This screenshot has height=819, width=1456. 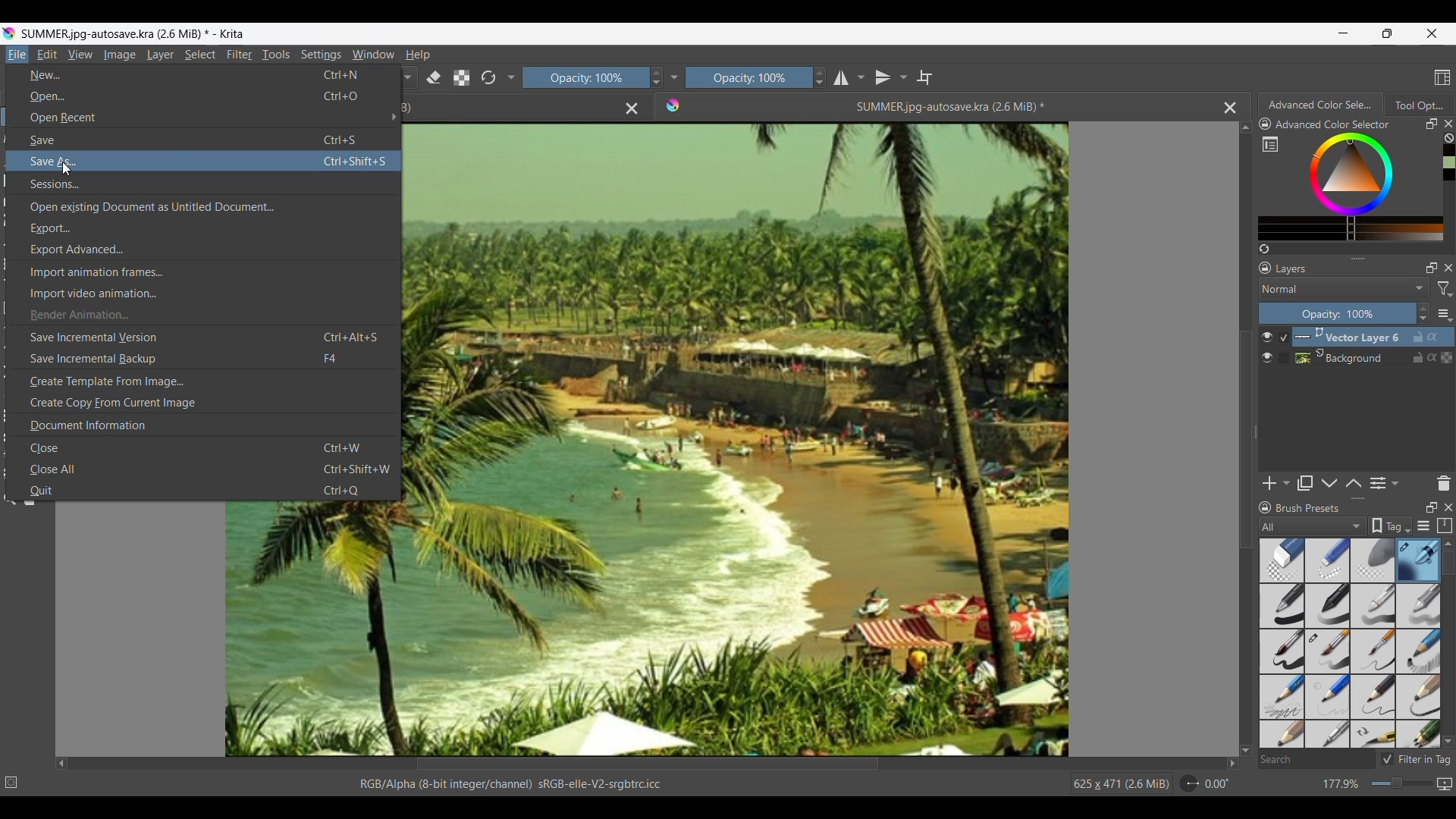 What do you see at coordinates (204, 403) in the screenshot?
I see `Create copy from current image` at bounding box center [204, 403].